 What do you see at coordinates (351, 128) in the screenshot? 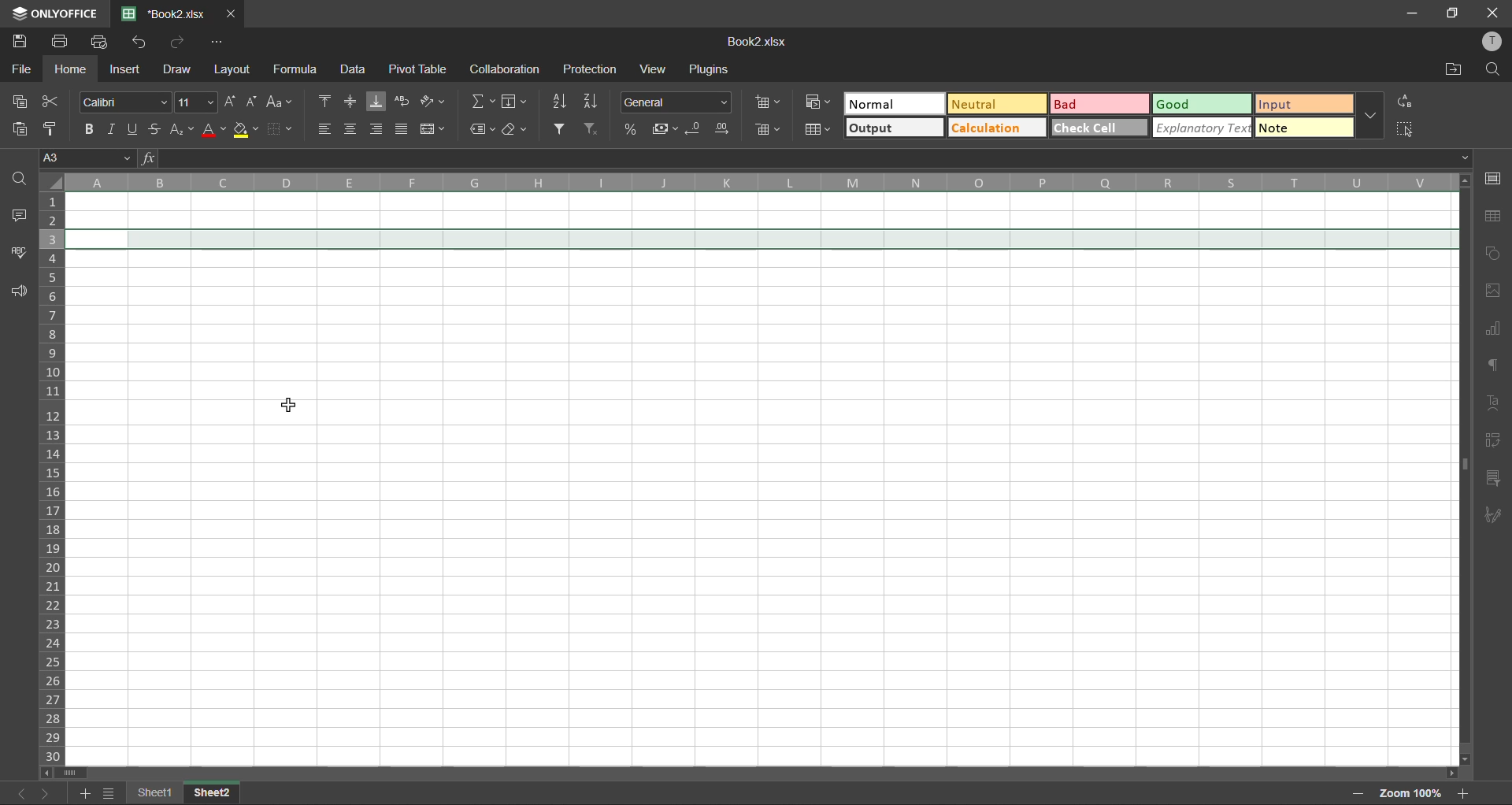
I see `align center` at bounding box center [351, 128].